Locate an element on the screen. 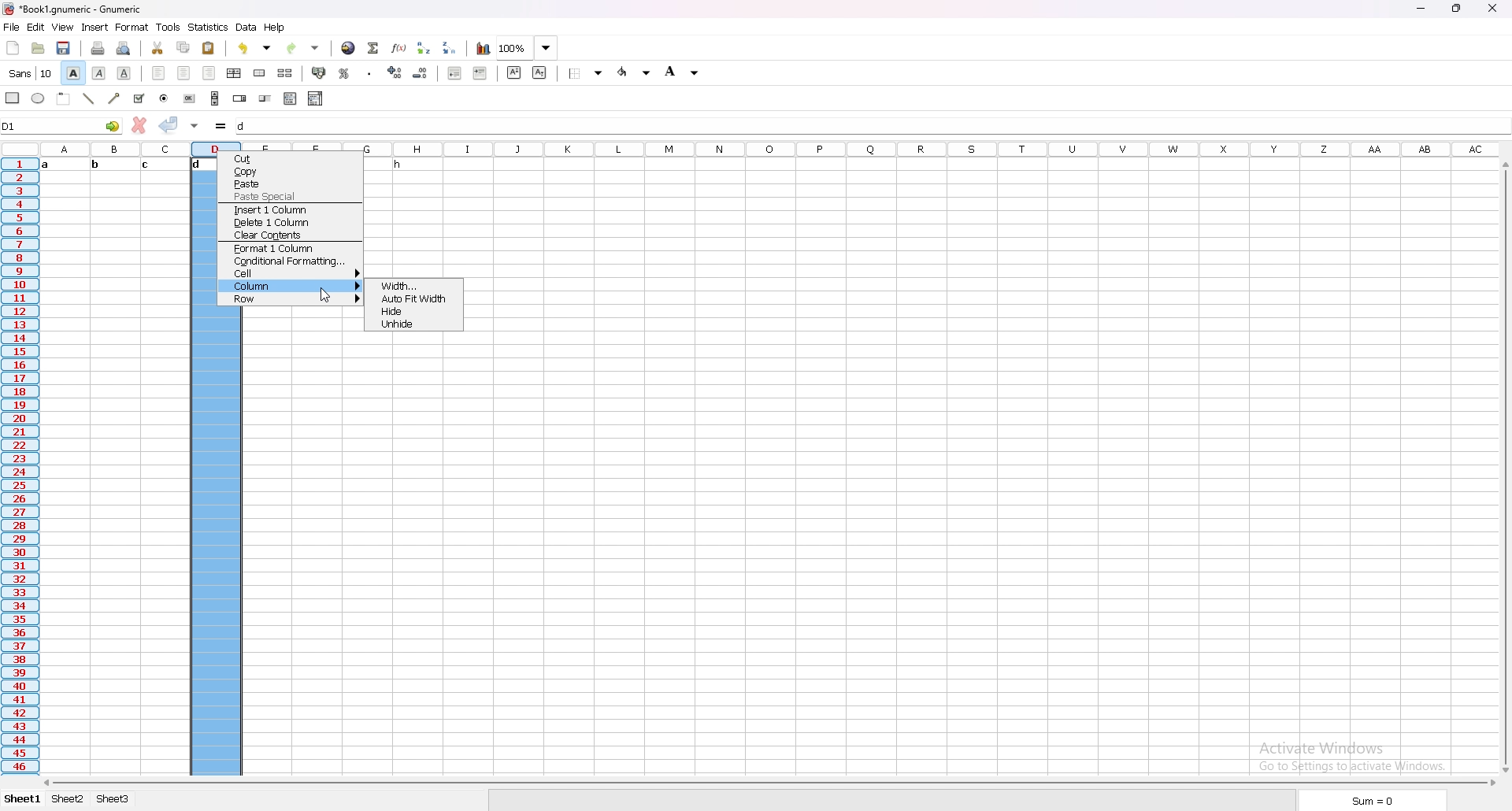 This screenshot has height=811, width=1512. ellipse is located at coordinates (39, 98).